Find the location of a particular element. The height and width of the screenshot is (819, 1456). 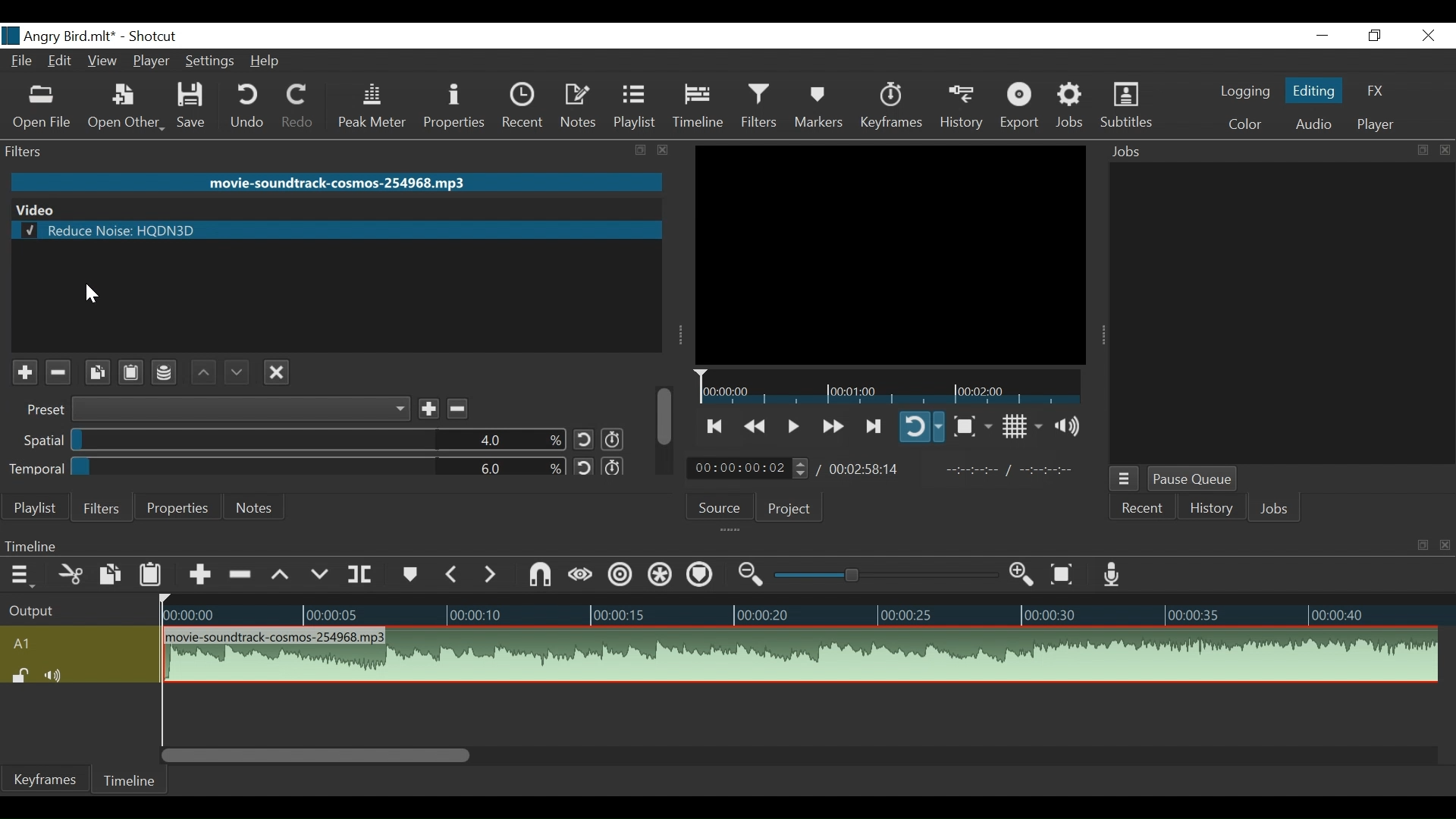

A1 is located at coordinates (77, 642).